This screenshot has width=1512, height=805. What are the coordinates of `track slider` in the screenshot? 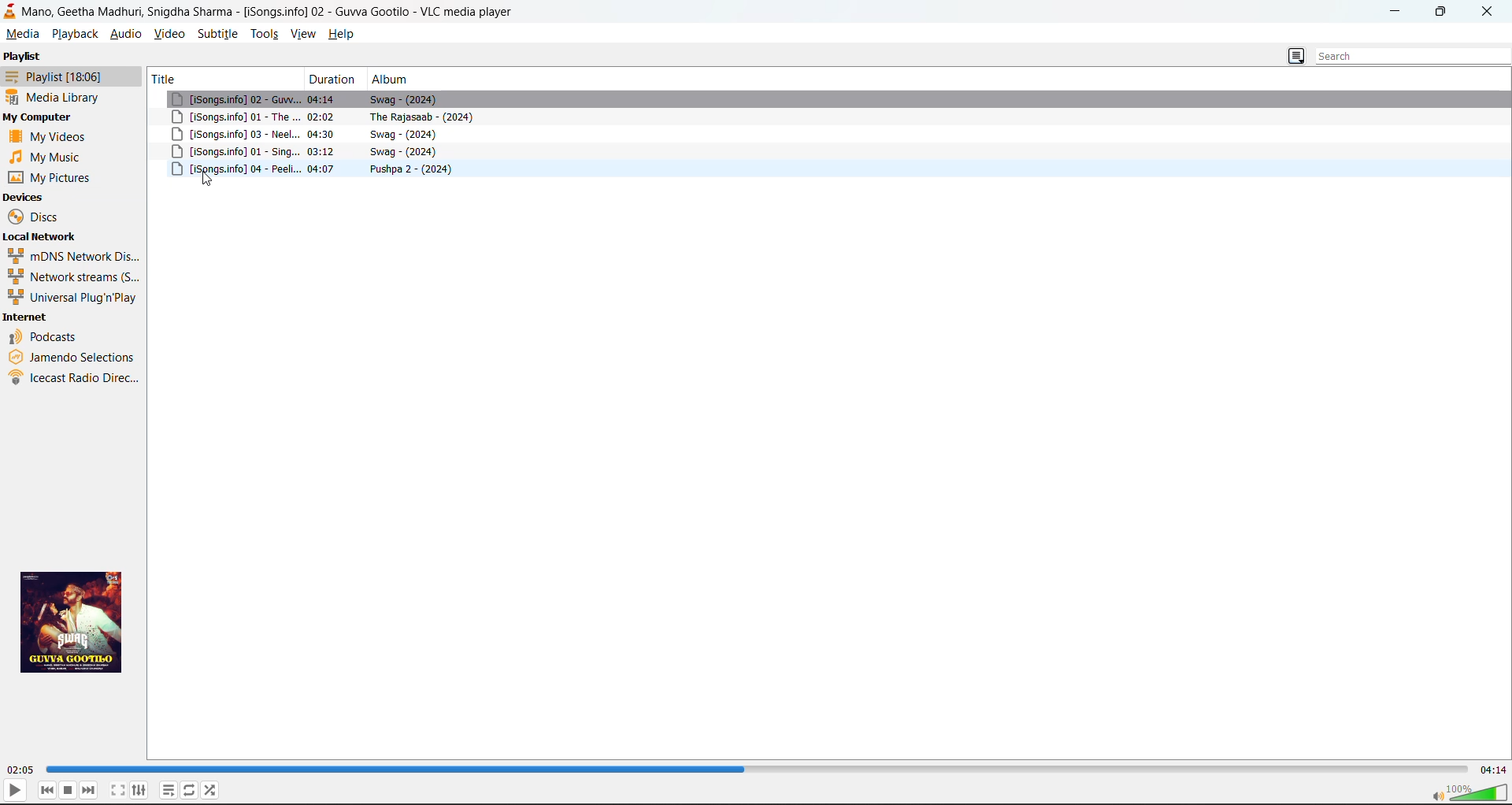 It's located at (576, 769).